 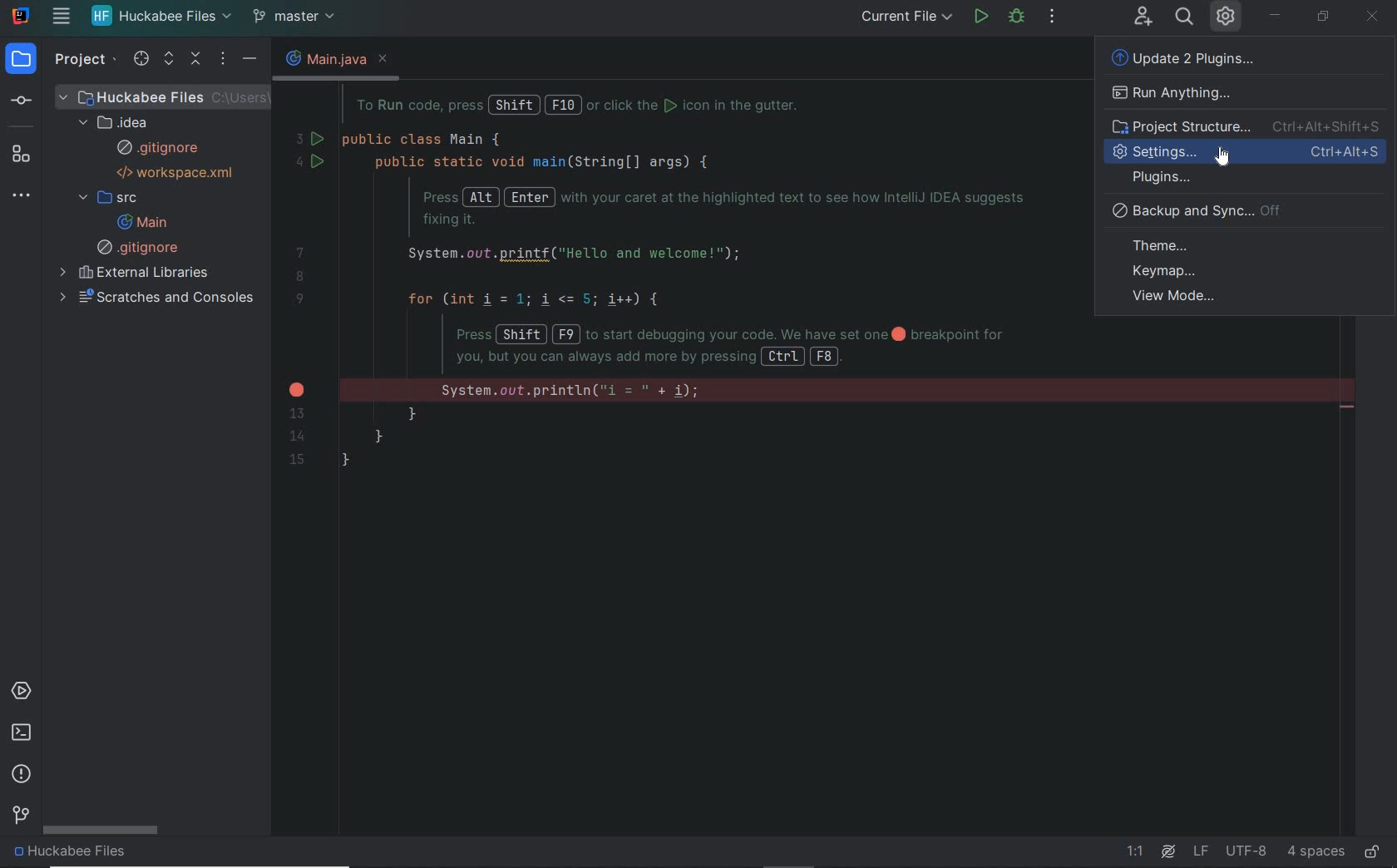 I want to click on restore down, so click(x=1325, y=17).